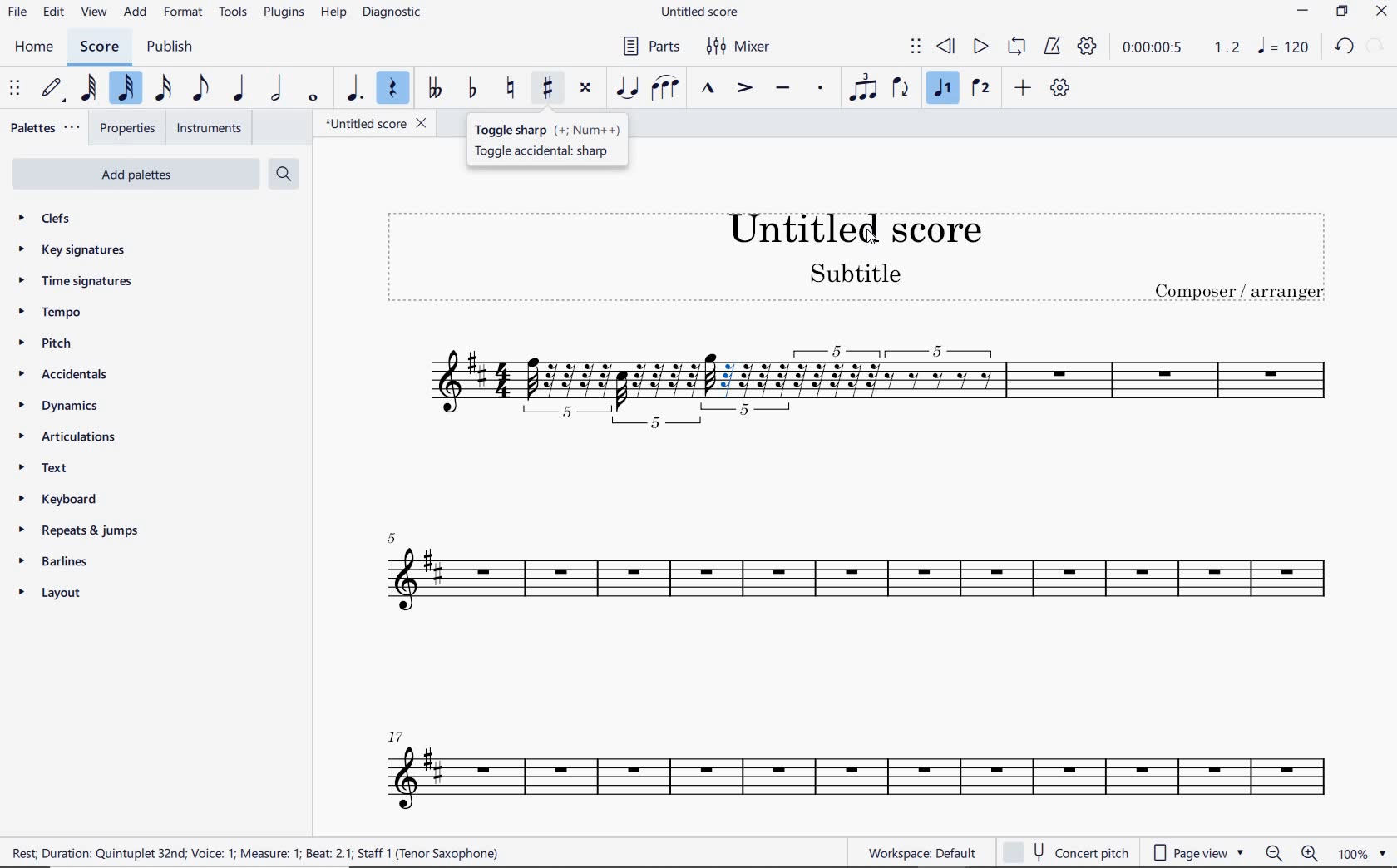 This screenshot has height=868, width=1397. What do you see at coordinates (1181, 49) in the screenshot?
I see `PLAY SPEED` at bounding box center [1181, 49].